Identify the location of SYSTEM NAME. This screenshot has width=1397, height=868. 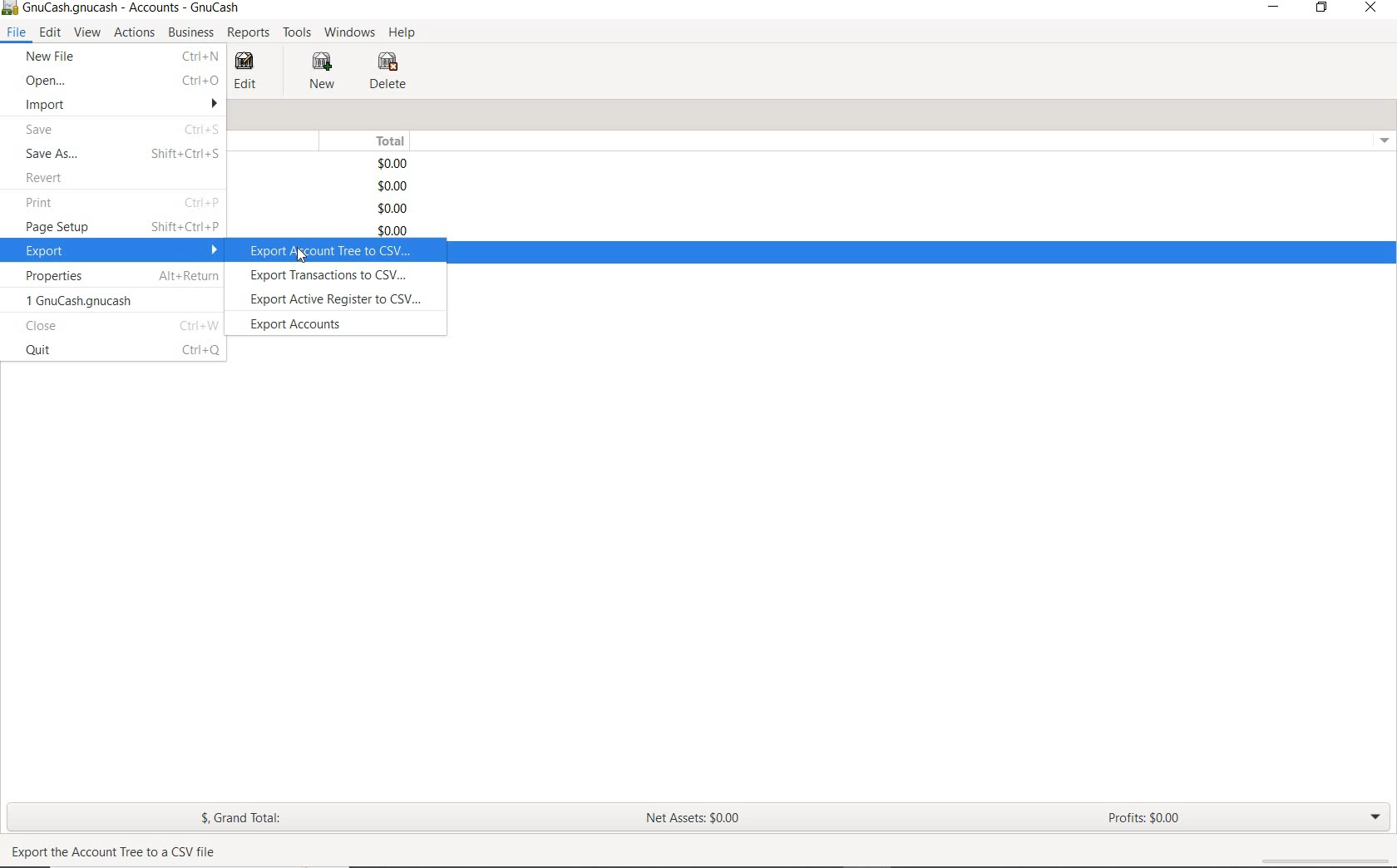
(126, 9).